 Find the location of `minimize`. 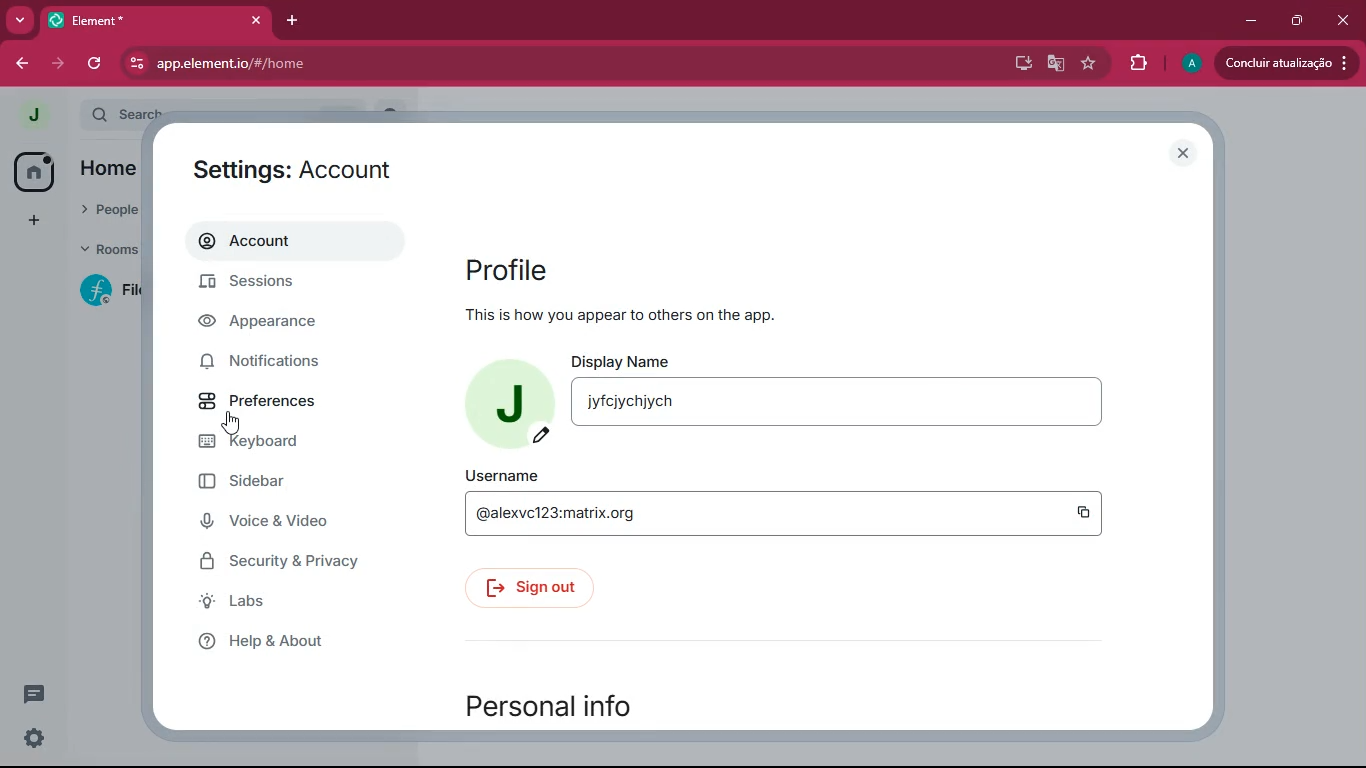

minimize is located at coordinates (1247, 21).